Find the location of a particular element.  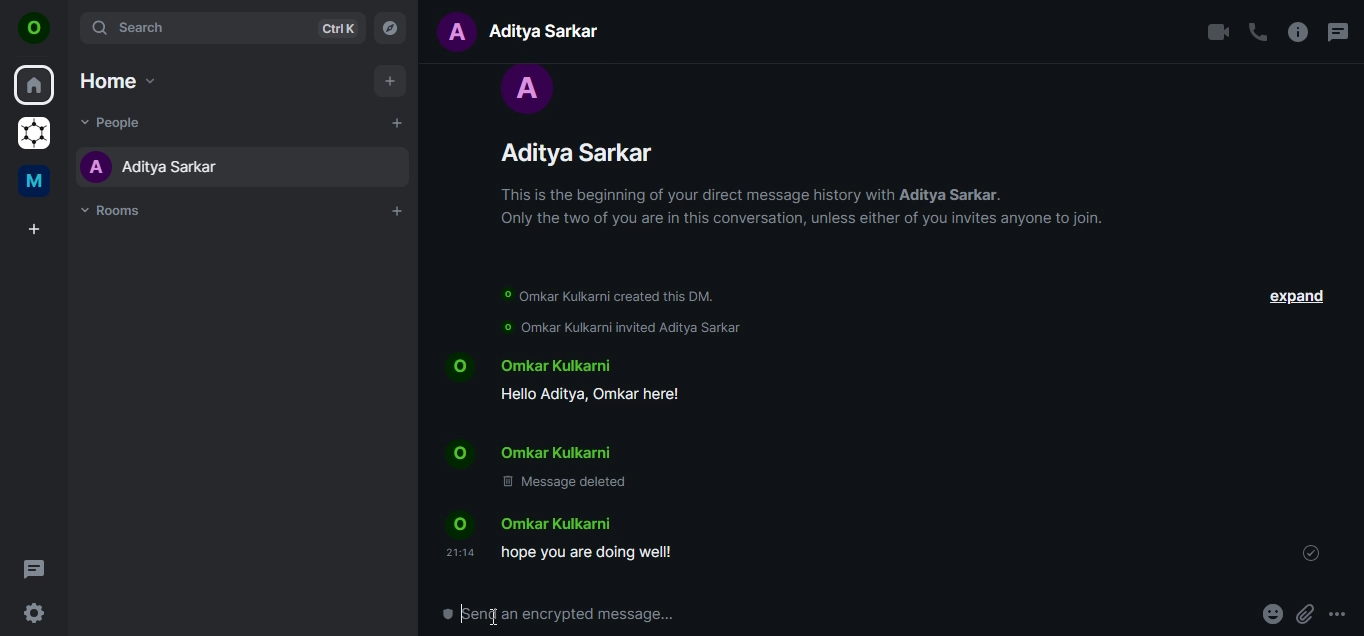

add is located at coordinates (389, 82).